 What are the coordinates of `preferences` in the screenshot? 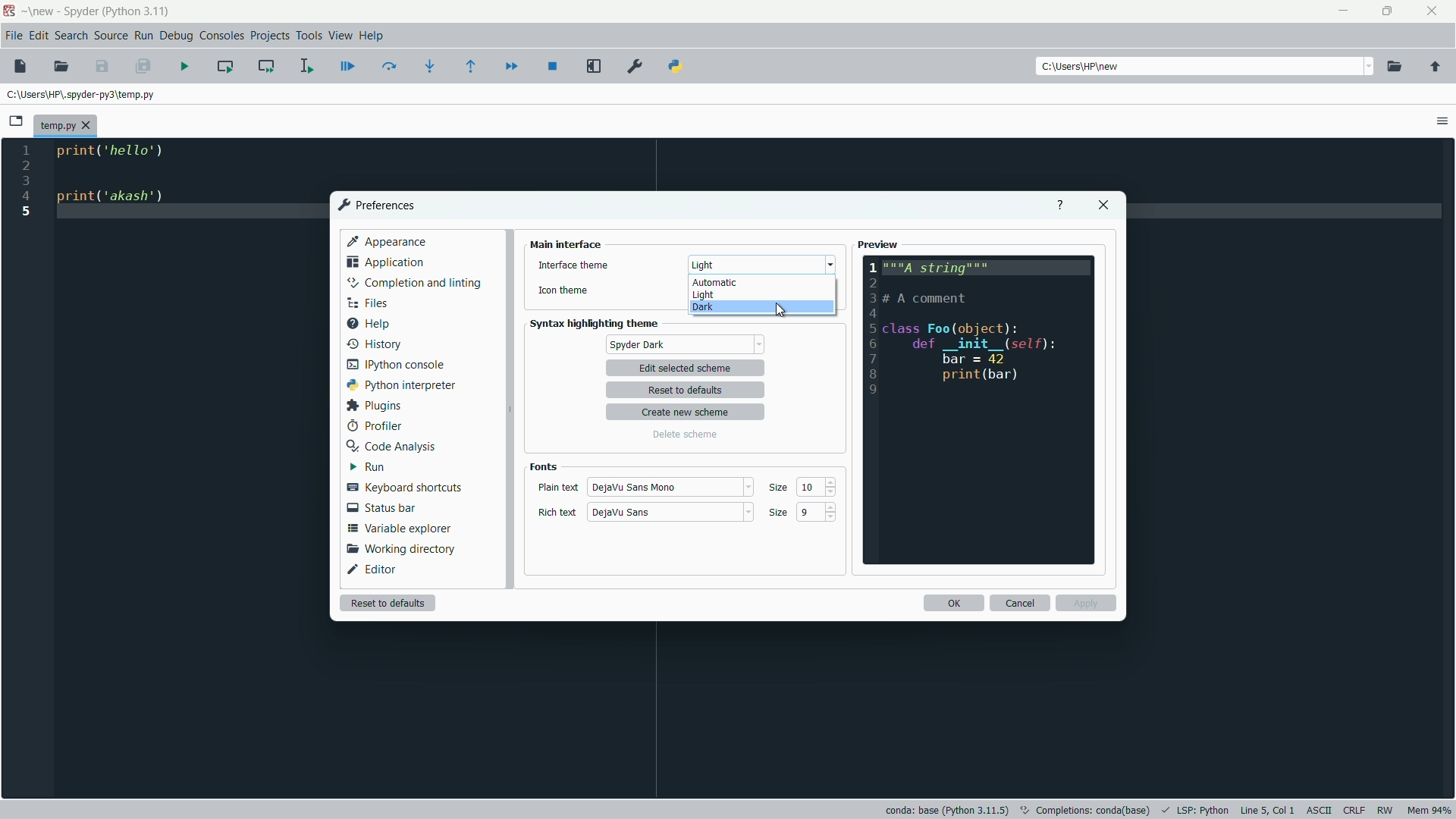 It's located at (635, 67).